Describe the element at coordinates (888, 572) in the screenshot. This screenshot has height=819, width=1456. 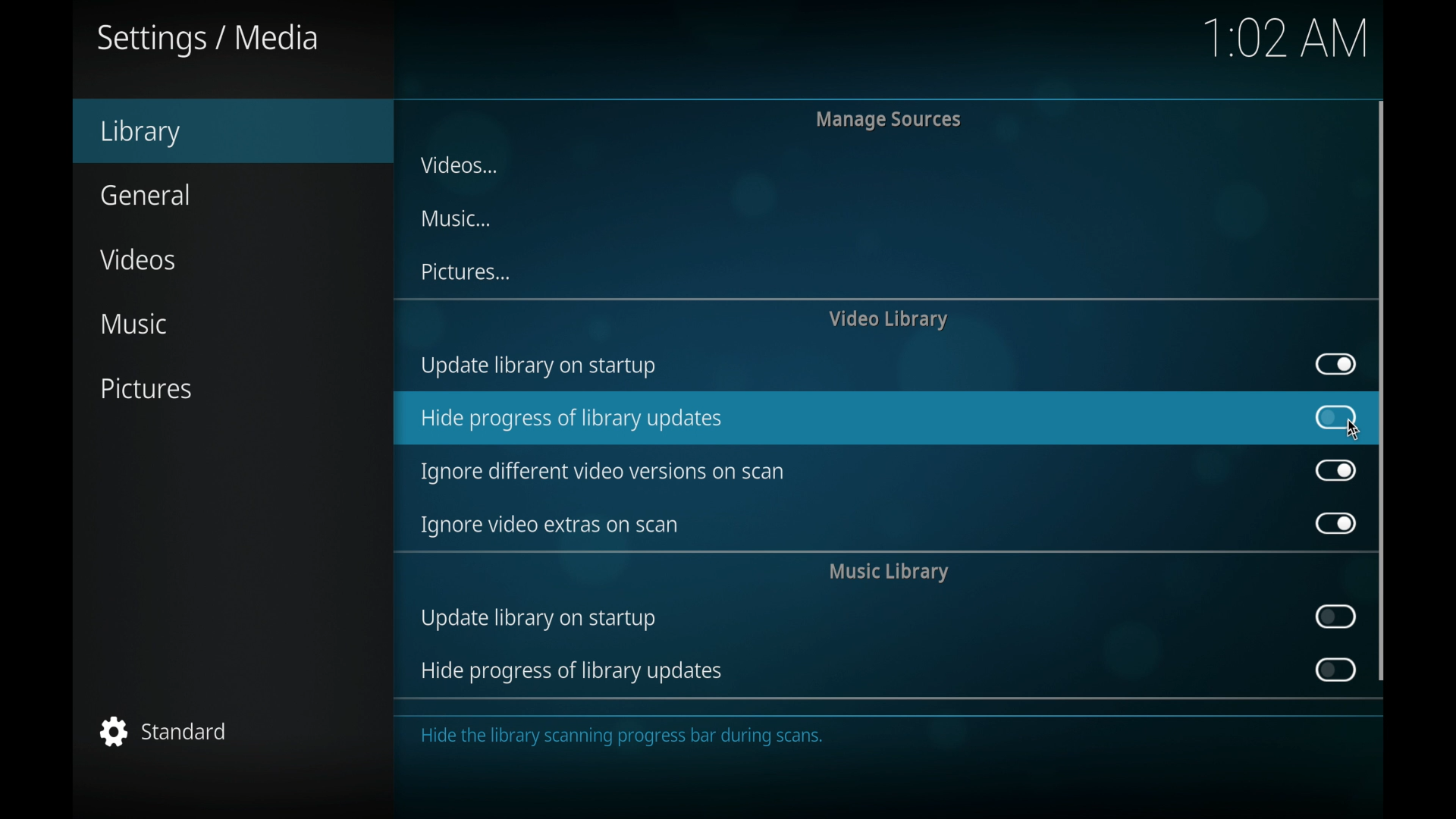
I see `music library` at that location.